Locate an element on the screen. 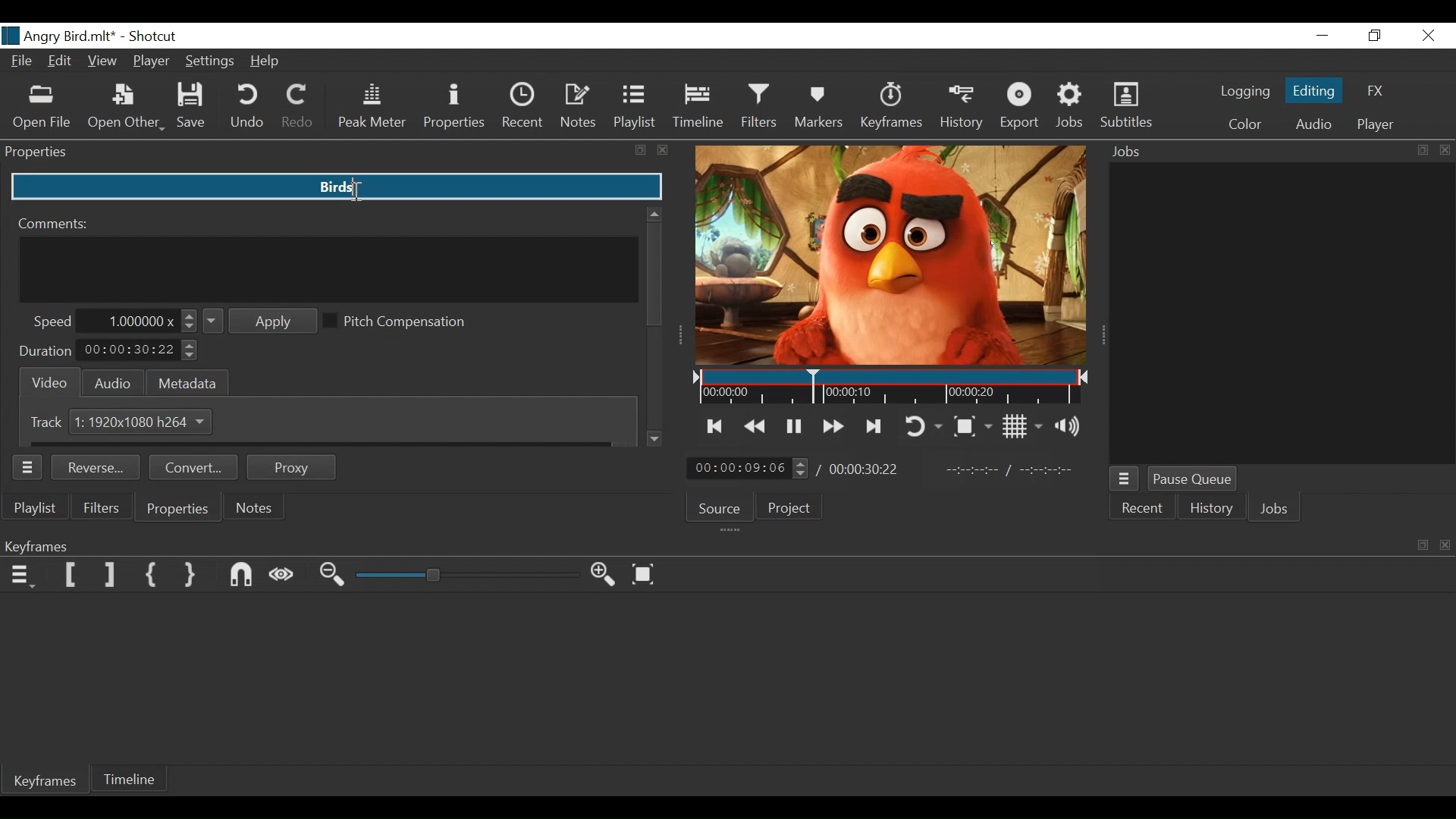 This screenshot has height=819, width=1456. Close is located at coordinates (1426, 35).